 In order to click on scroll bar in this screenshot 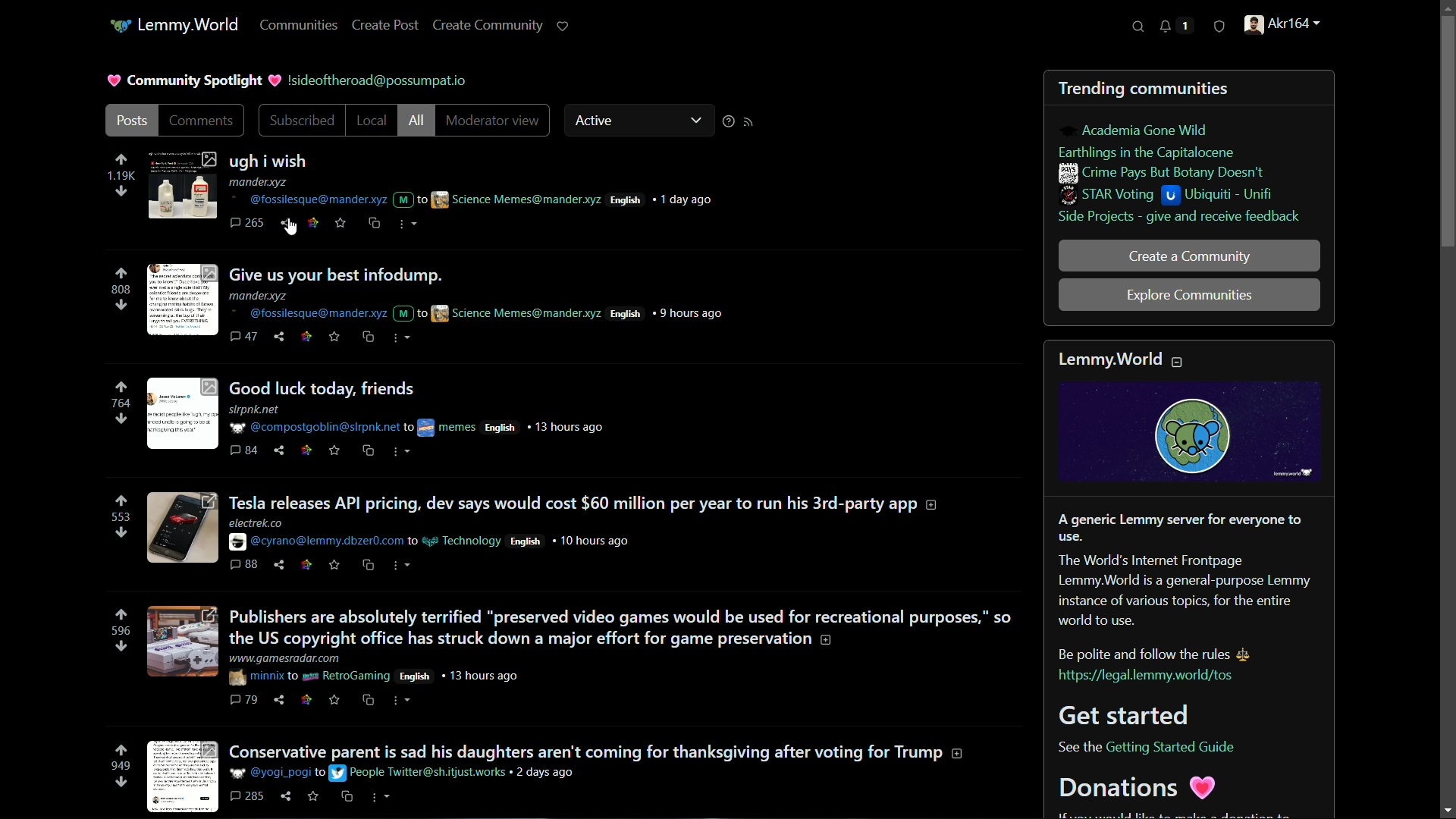, I will do `click(1439, 408)`.